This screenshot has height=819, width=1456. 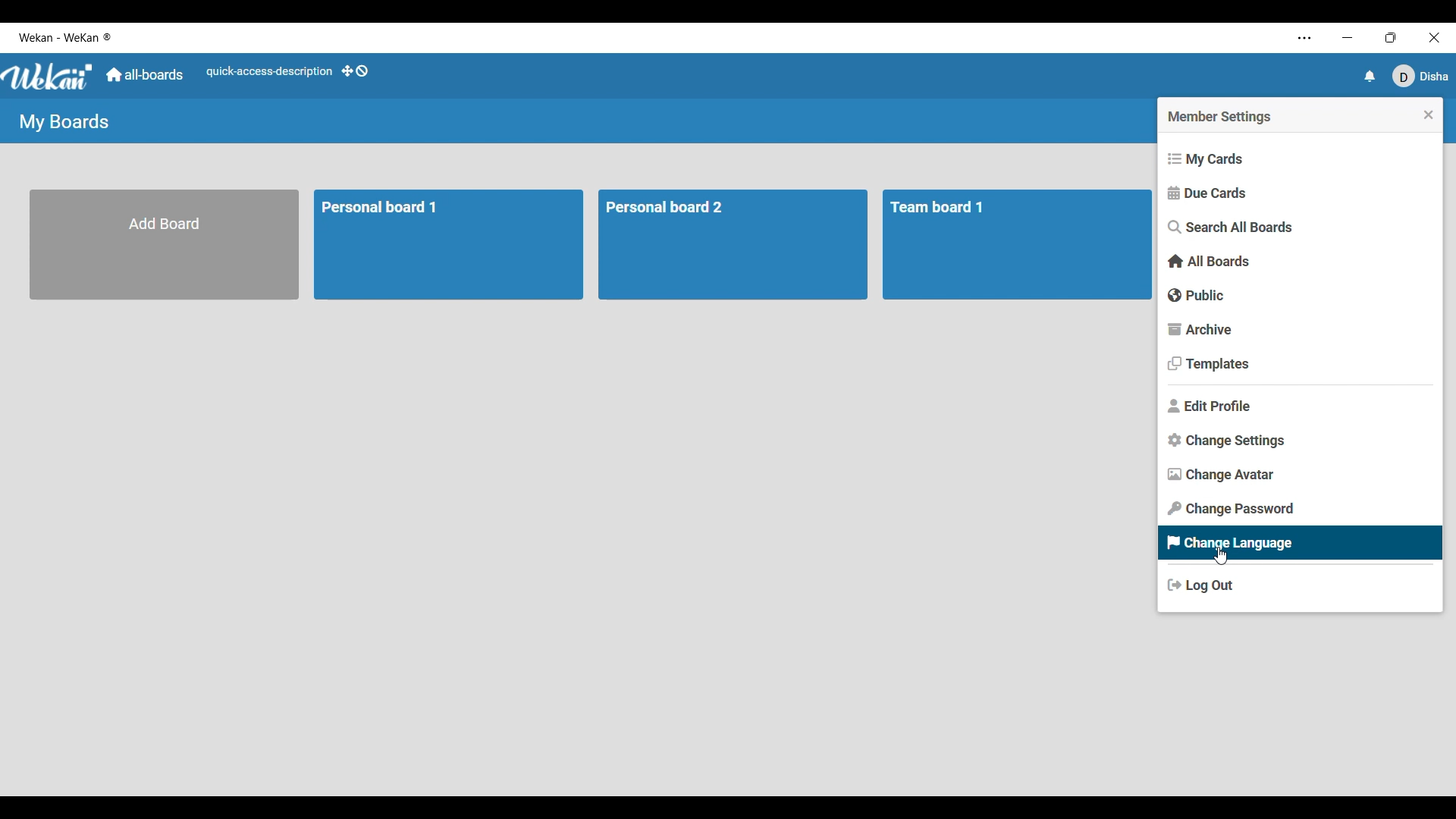 I want to click on Minimize, so click(x=1345, y=37).